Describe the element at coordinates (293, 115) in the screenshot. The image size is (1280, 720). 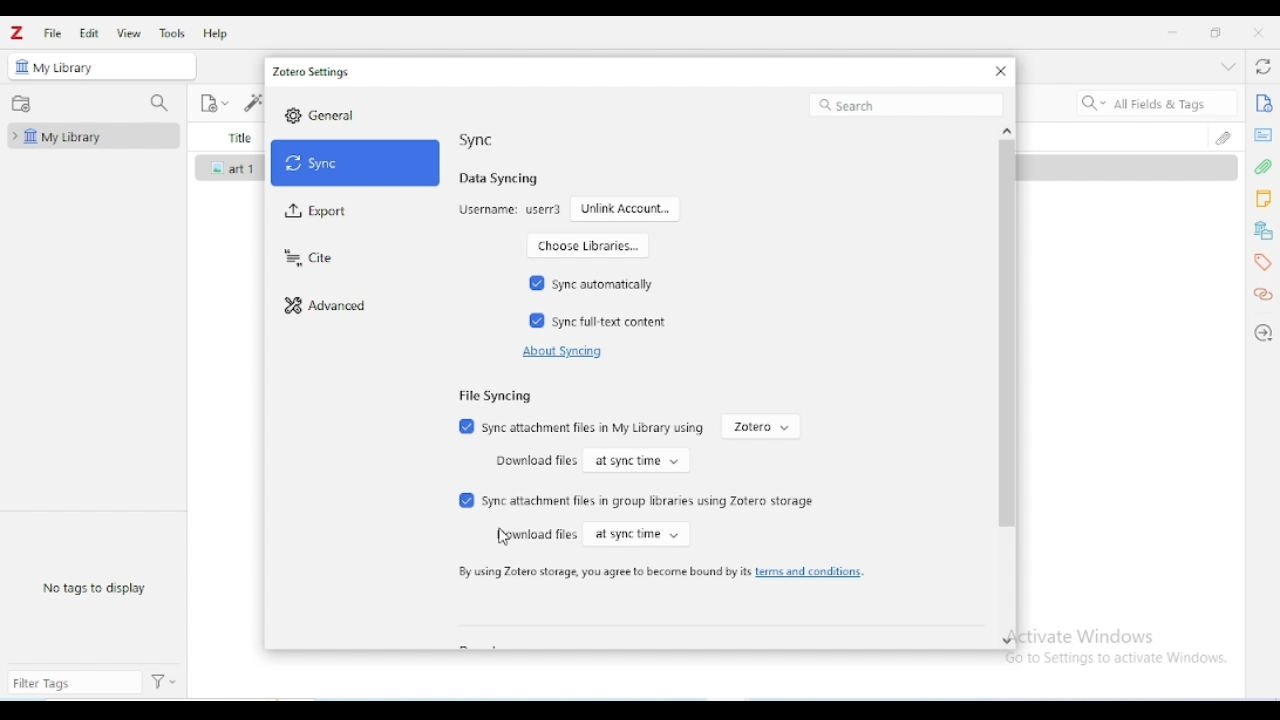
I see `Settings icon` at that location.